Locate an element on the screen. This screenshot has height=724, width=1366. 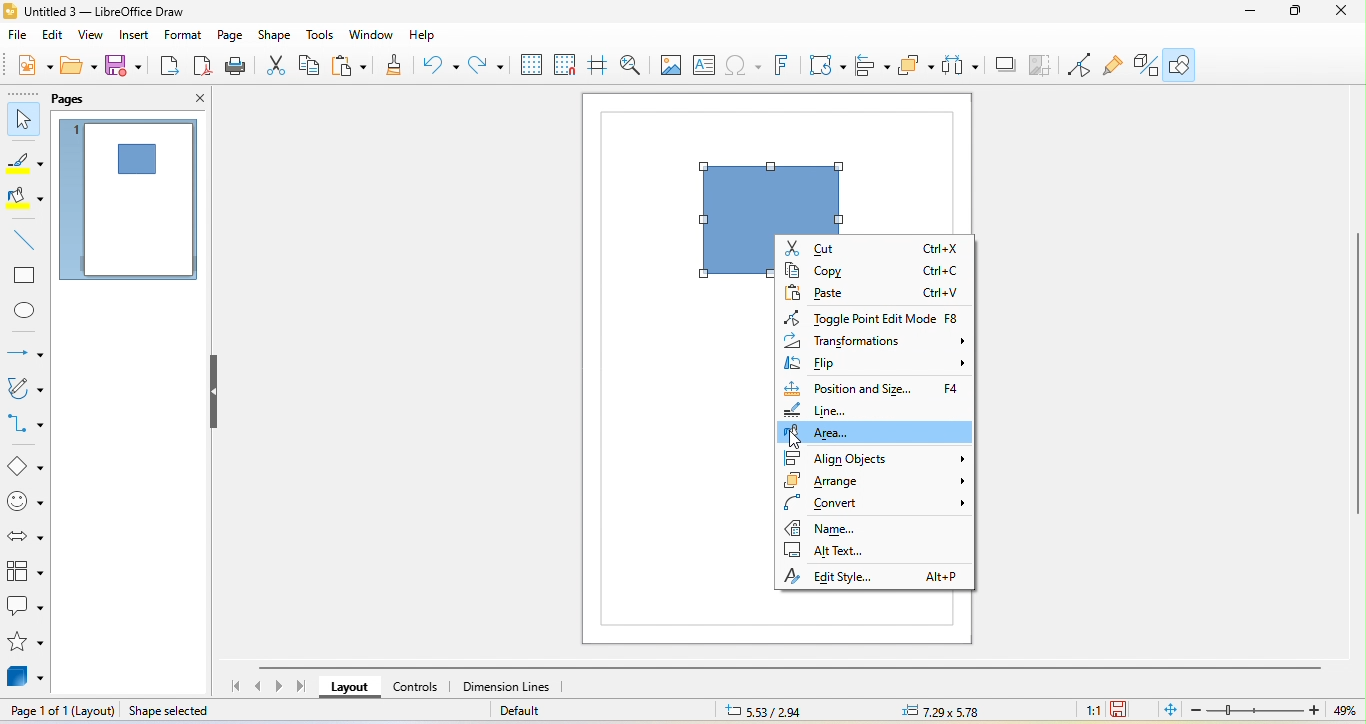
page 1 of 1 is located at coordinates (62, 711).